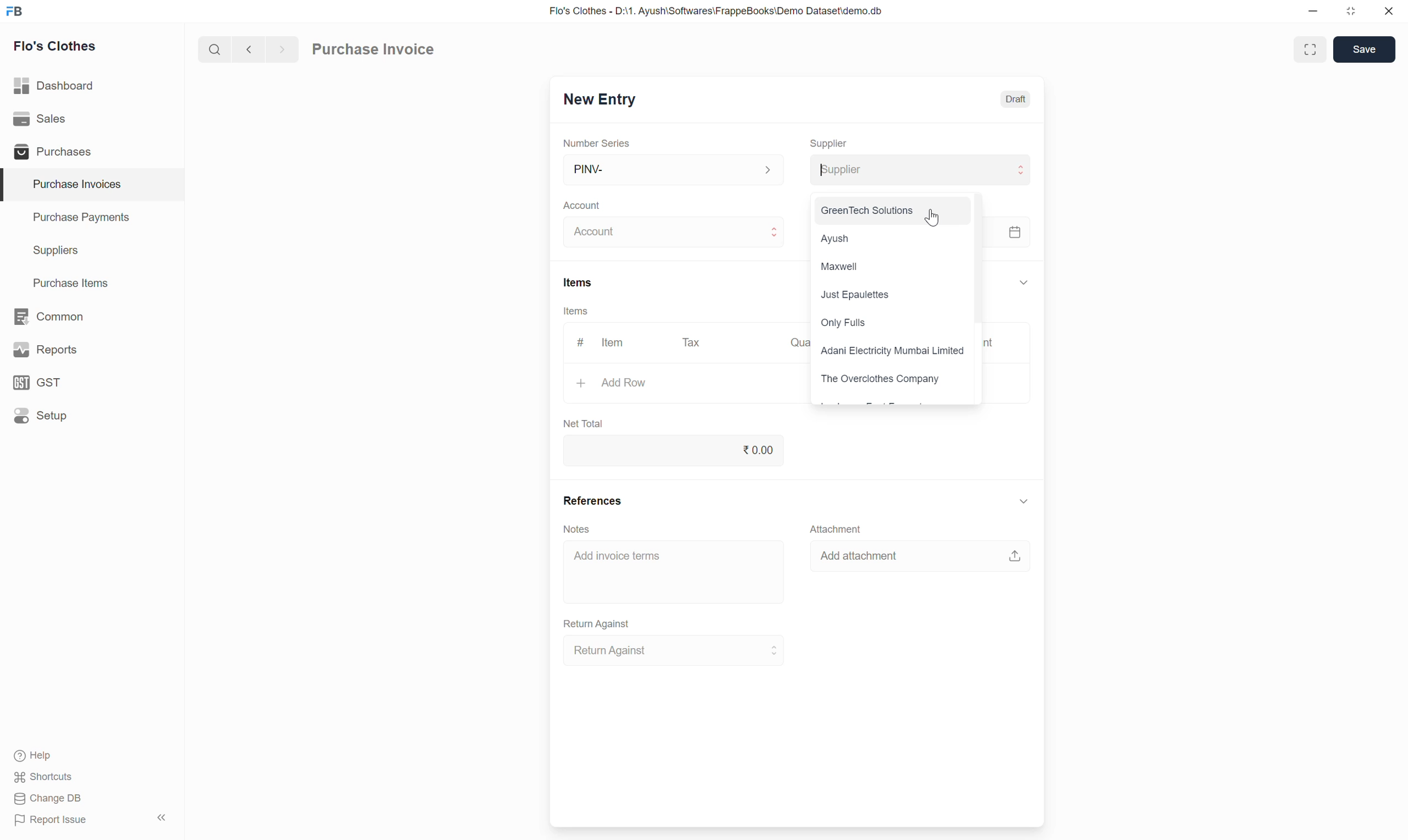 Image resolution: width=1408 pixels, height=840 pixels. Describe the element at coordinates (893, 267) in the screenshot. I see `Maxwell` at that location.